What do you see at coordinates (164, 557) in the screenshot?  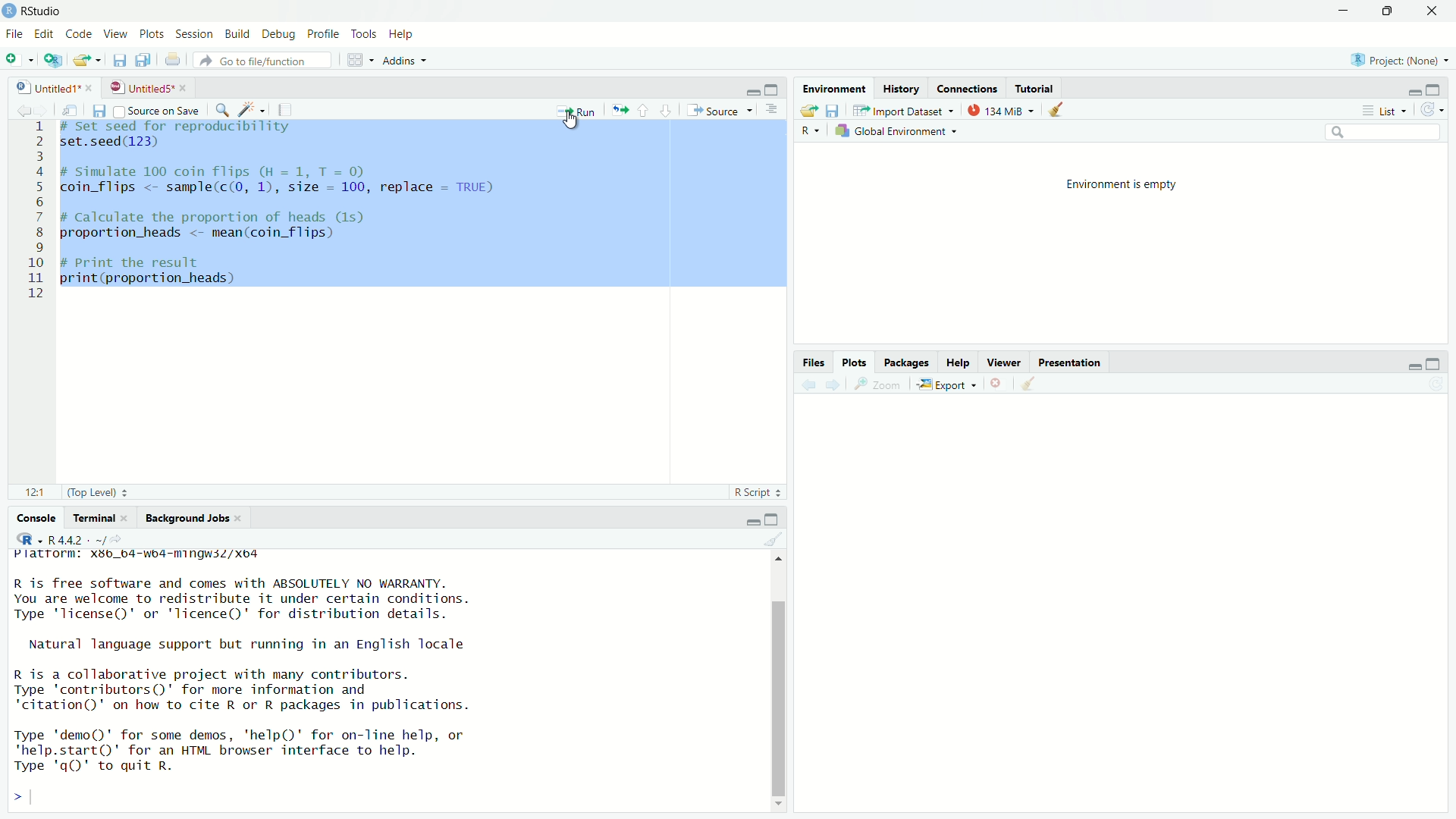 I see `platform` at bounding box center [164, 557].